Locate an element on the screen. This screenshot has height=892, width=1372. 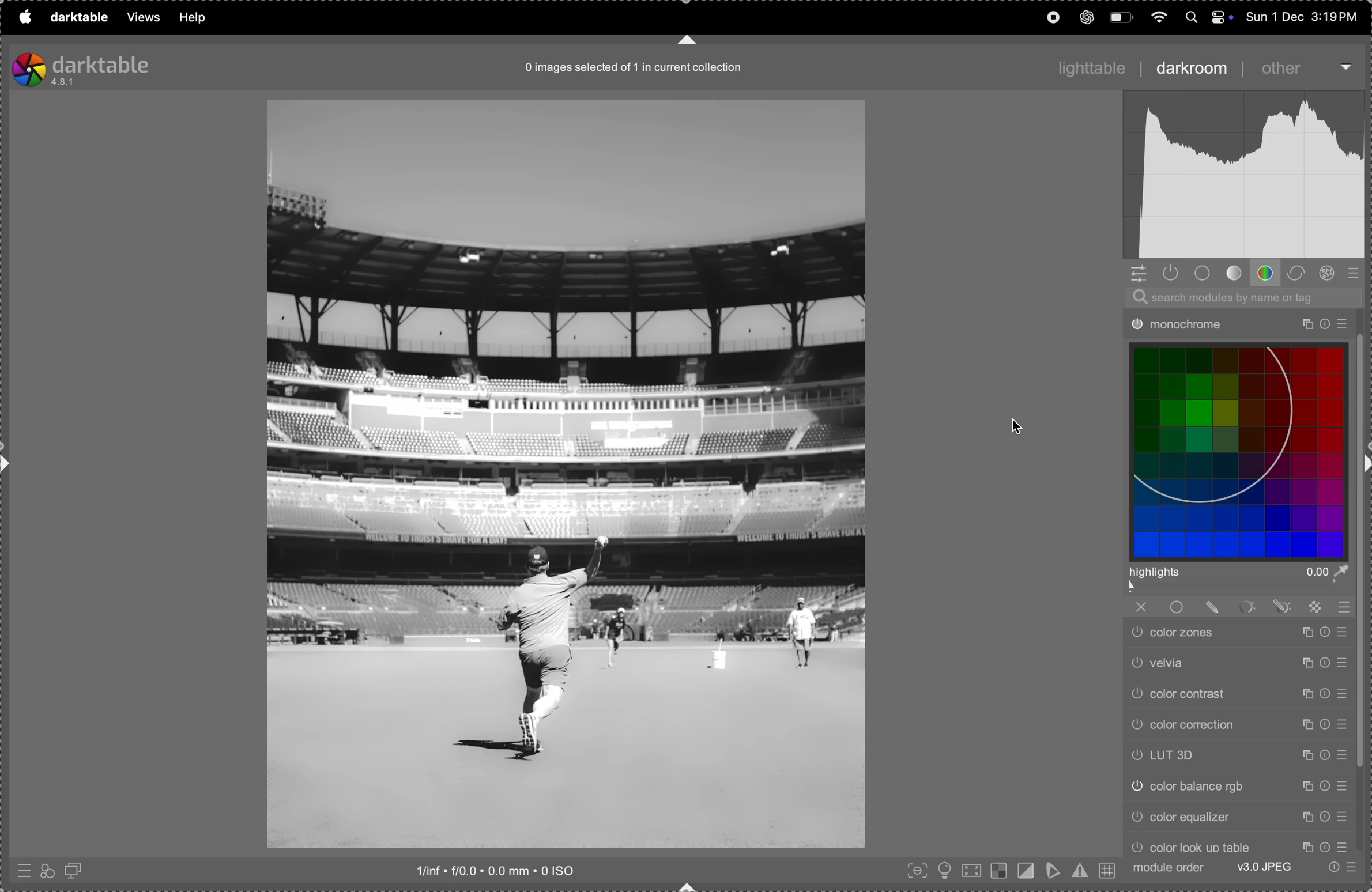
wifi is located at coordinates (1160, 18).